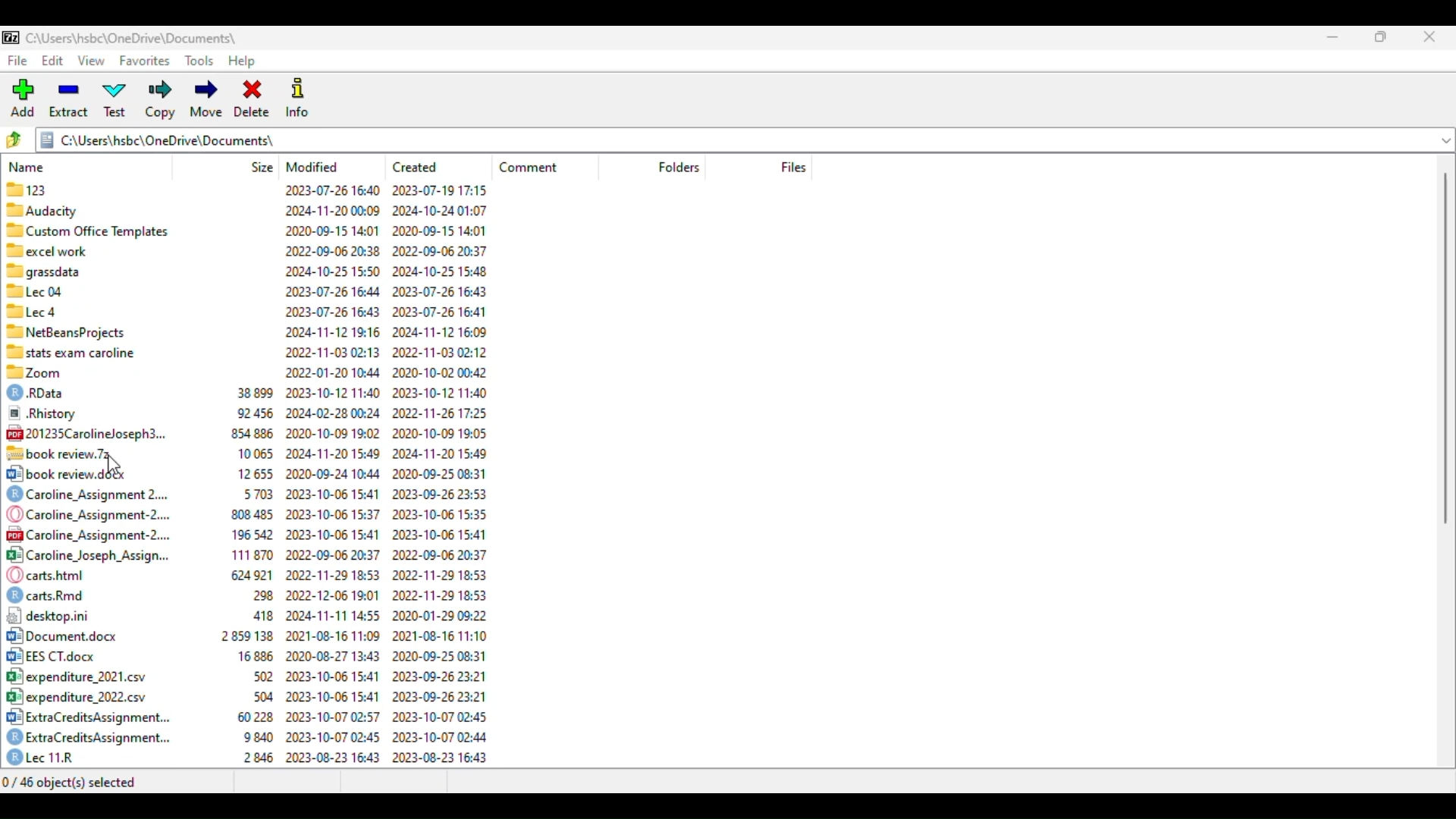 This screenshot has height=819, width=1456. I want to click on B°| expenditure 2022.csv 504 2023-10-06 15:41 2023-09-26 23:21, so click(246, 696).